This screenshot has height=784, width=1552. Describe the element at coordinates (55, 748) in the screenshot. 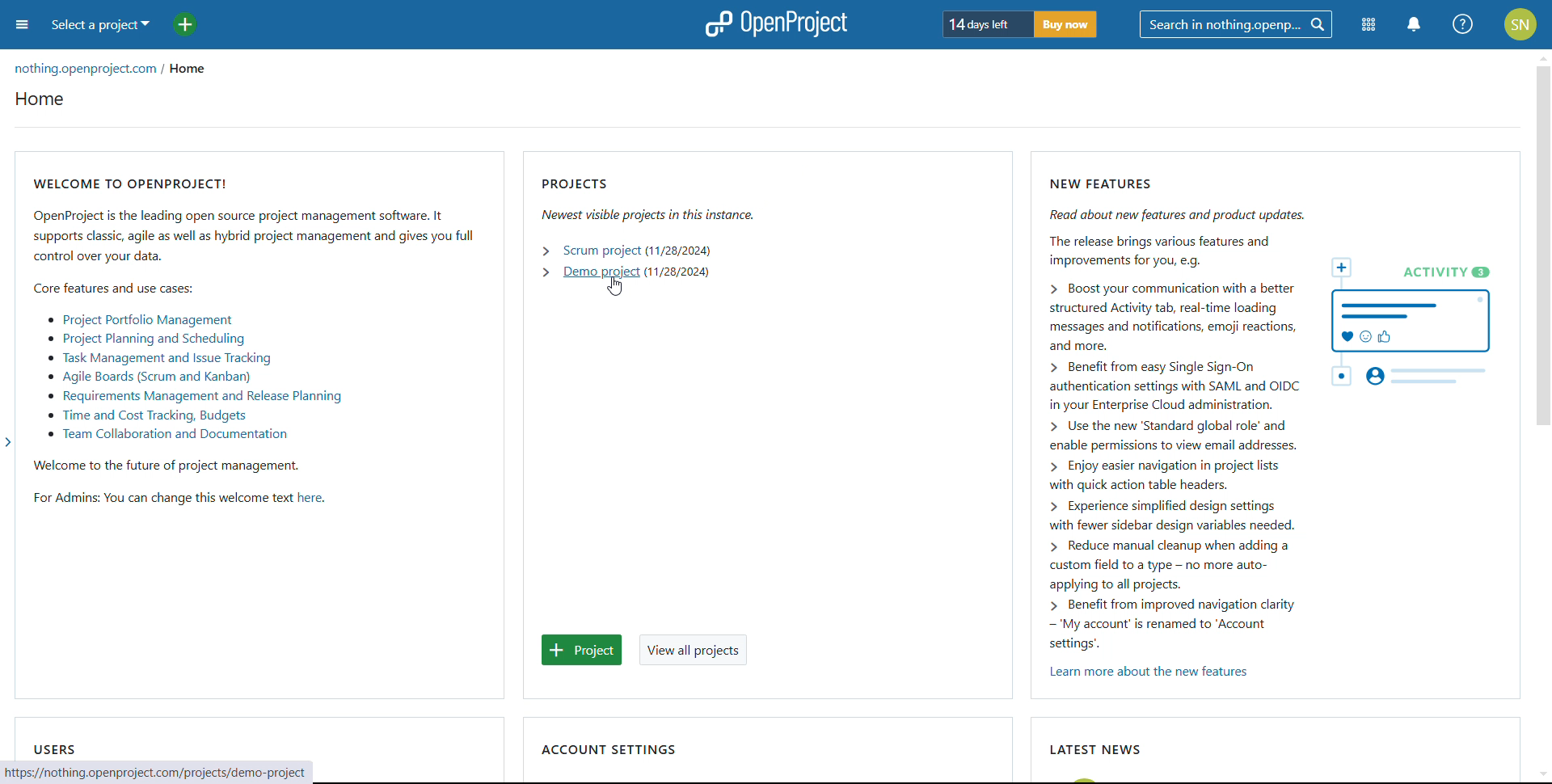

I see `users` at that location.